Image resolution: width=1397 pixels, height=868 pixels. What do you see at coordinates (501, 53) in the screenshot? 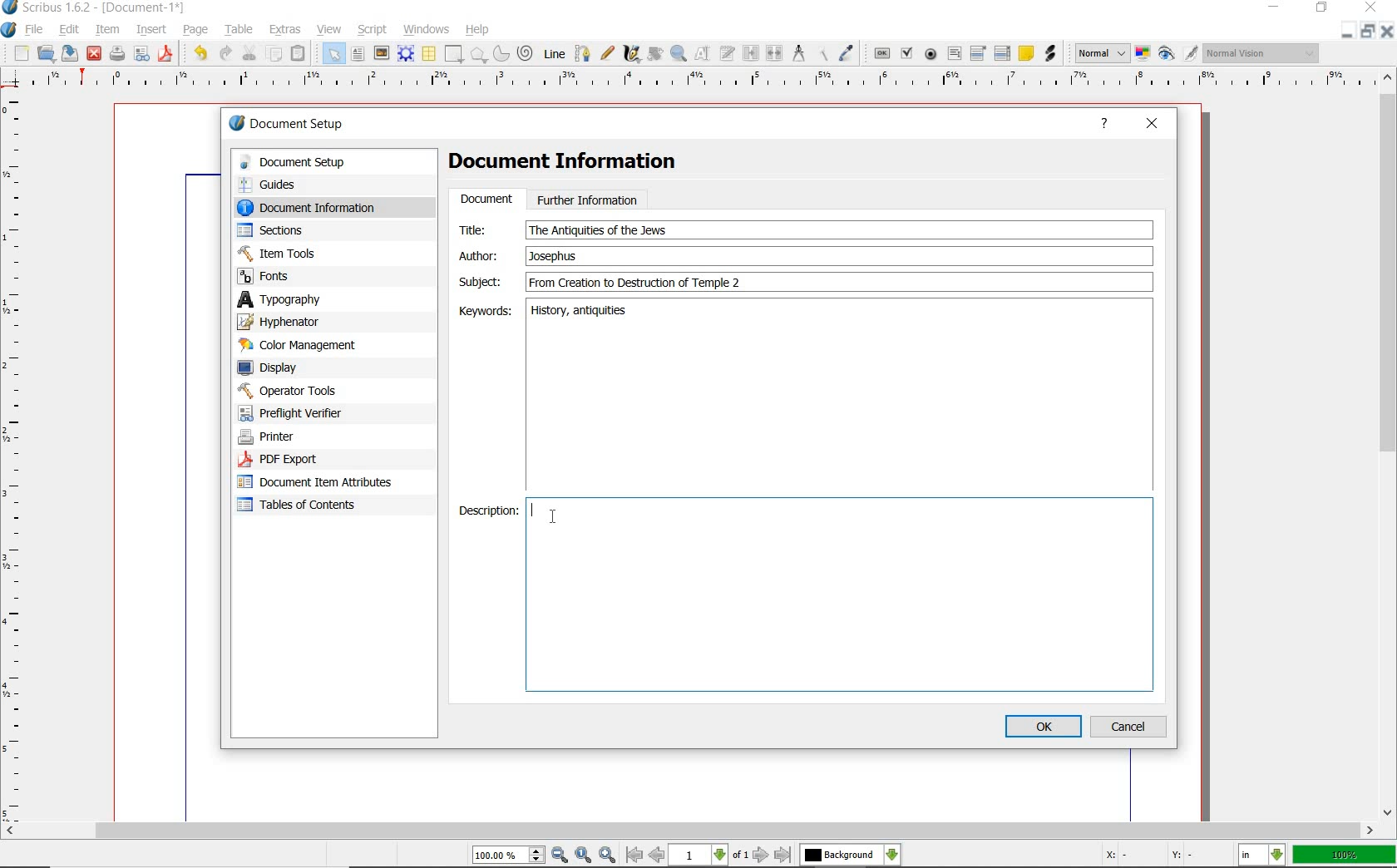
I see `arc` at bounding box center [501, 53].